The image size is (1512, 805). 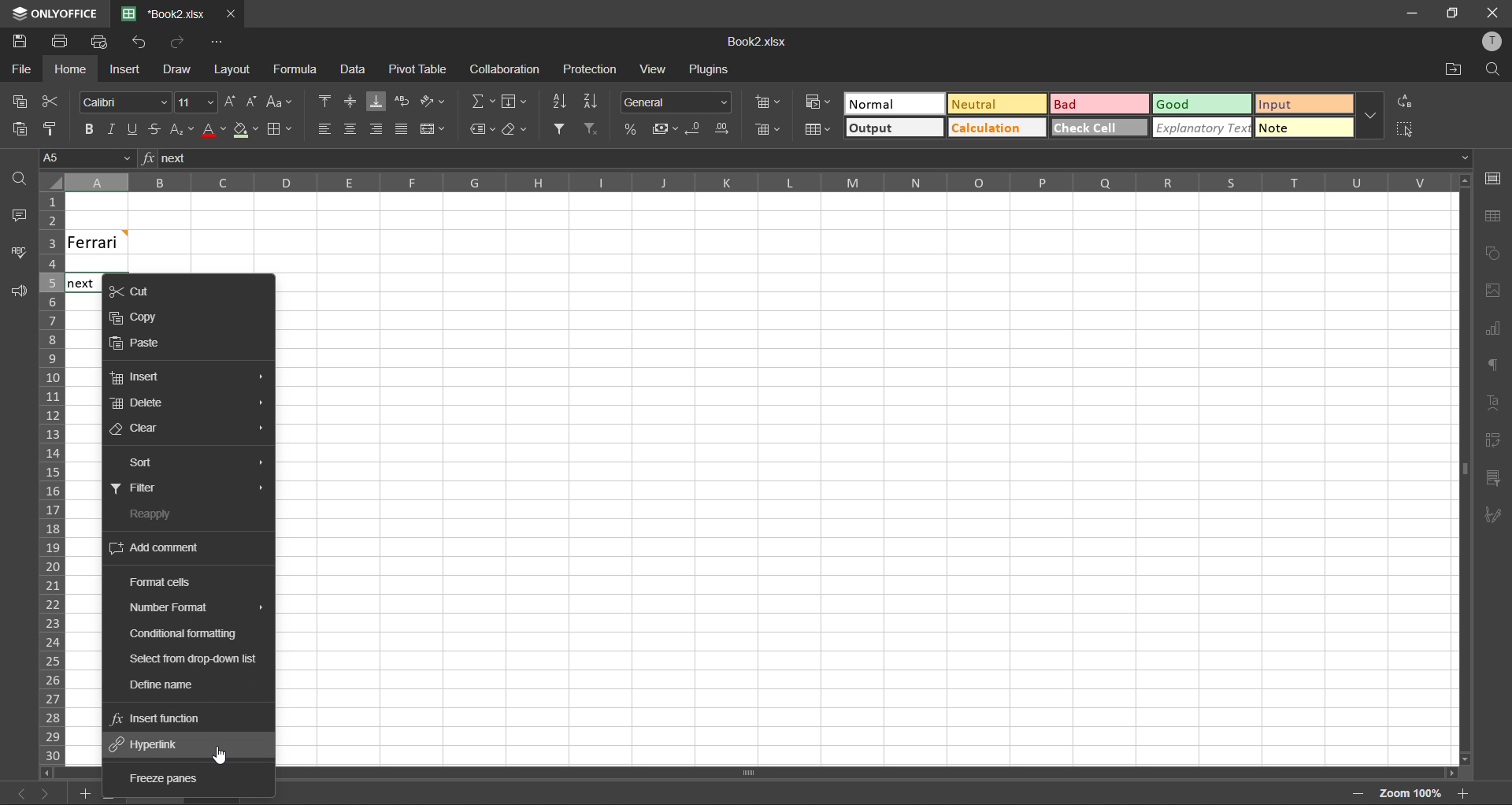 I want to click on decrease decimal, so click(x=692, y=131).